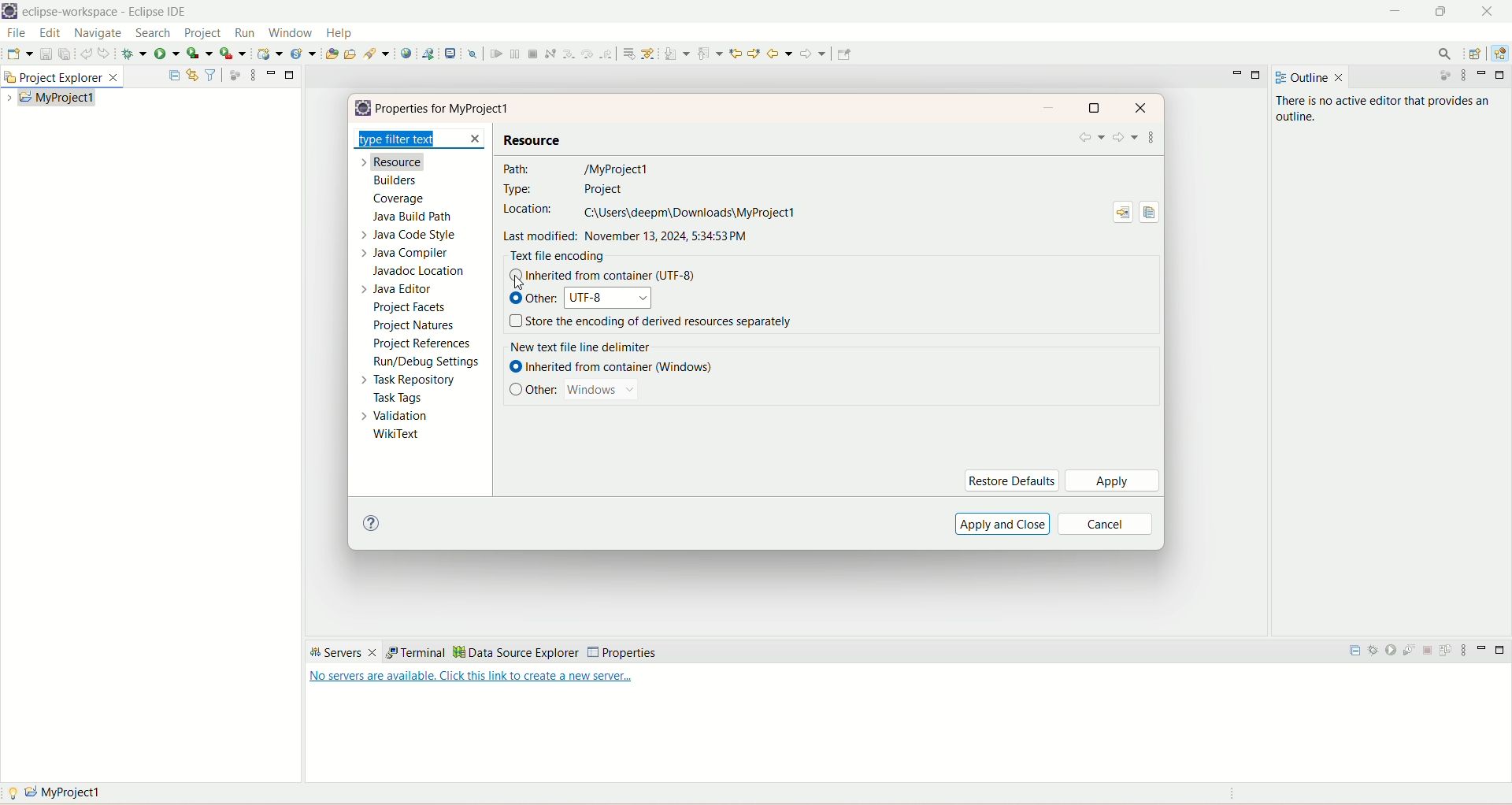 Image resolution: width=1512 pixels, height=805 pixels. I want to click on type filter text, so click(422, 139).